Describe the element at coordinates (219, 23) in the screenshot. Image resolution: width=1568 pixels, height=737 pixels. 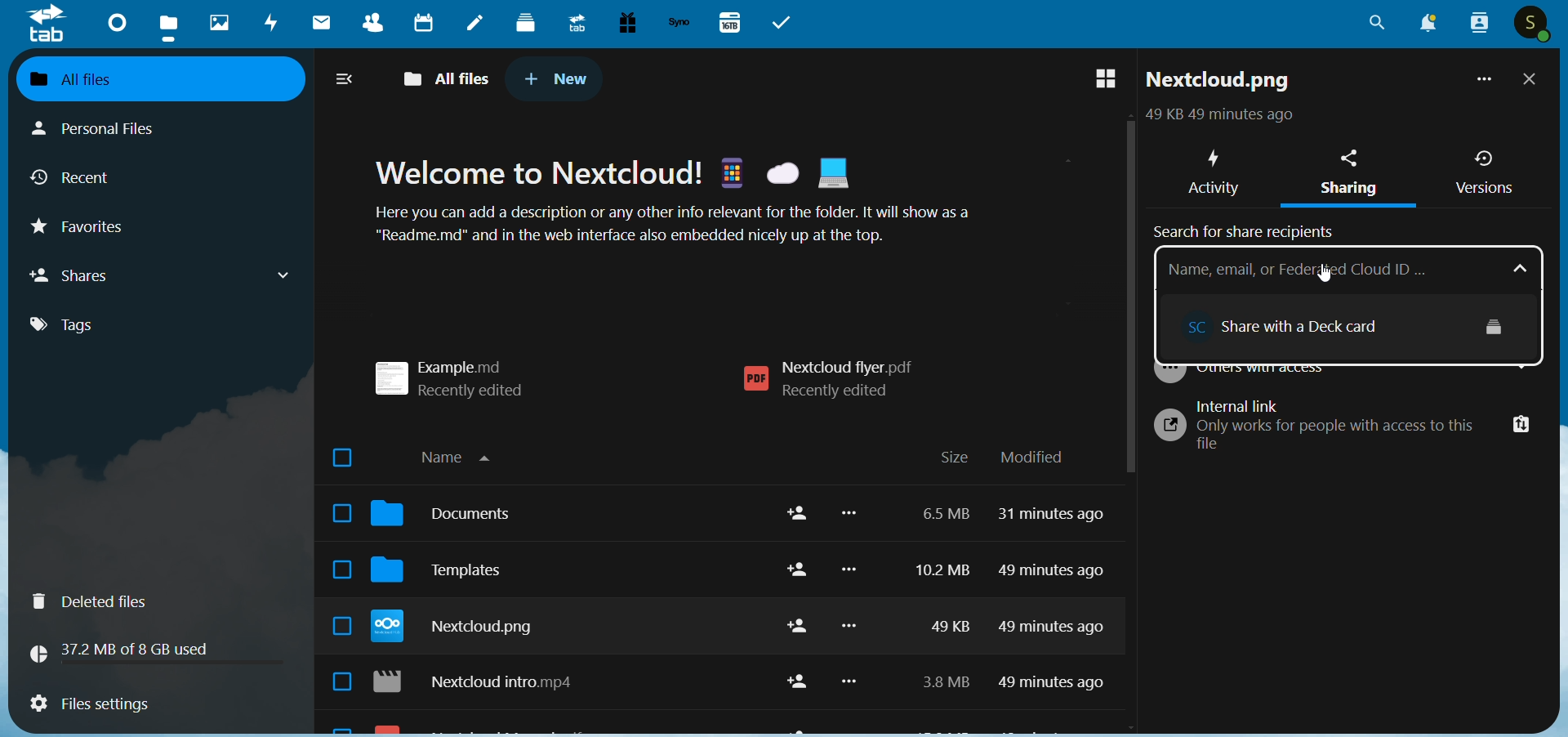
I see `photos` at that location.